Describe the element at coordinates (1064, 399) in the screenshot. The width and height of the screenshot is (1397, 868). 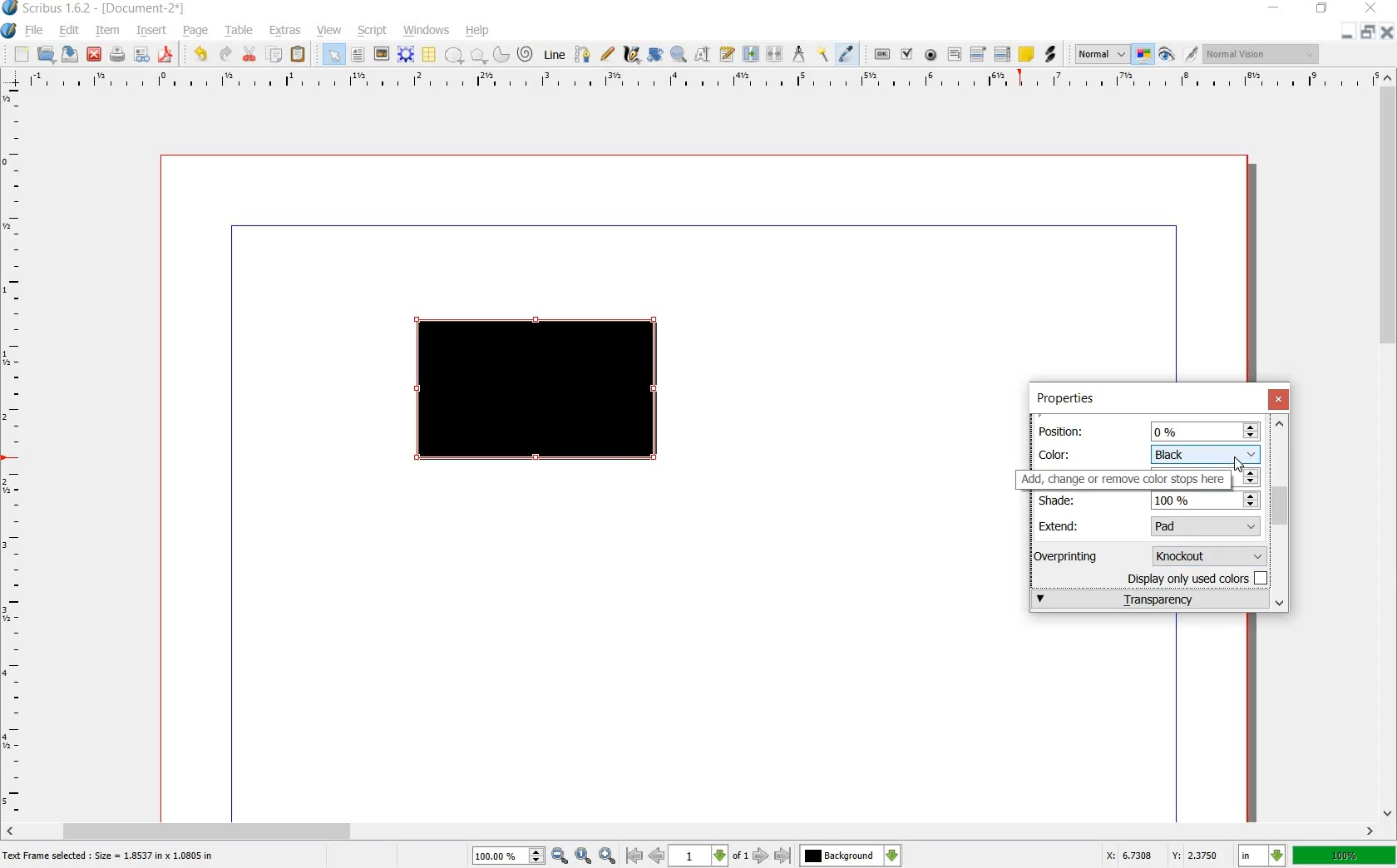
I see `properties` at that location.